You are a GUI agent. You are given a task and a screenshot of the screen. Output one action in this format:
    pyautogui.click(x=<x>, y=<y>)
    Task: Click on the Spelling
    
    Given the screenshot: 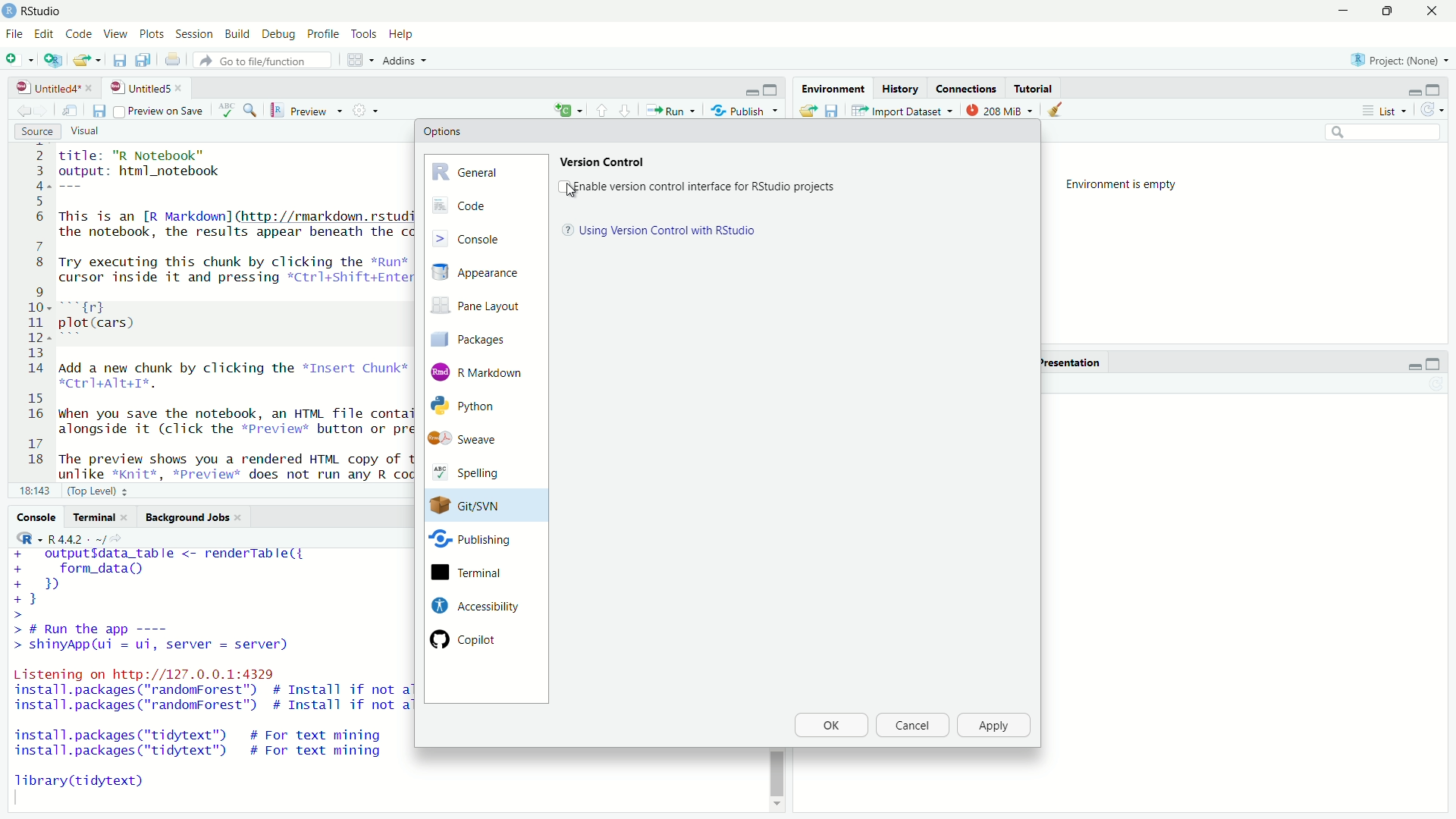 What is the action you would take?
    pyautogui.click(x=475, y=474)
    